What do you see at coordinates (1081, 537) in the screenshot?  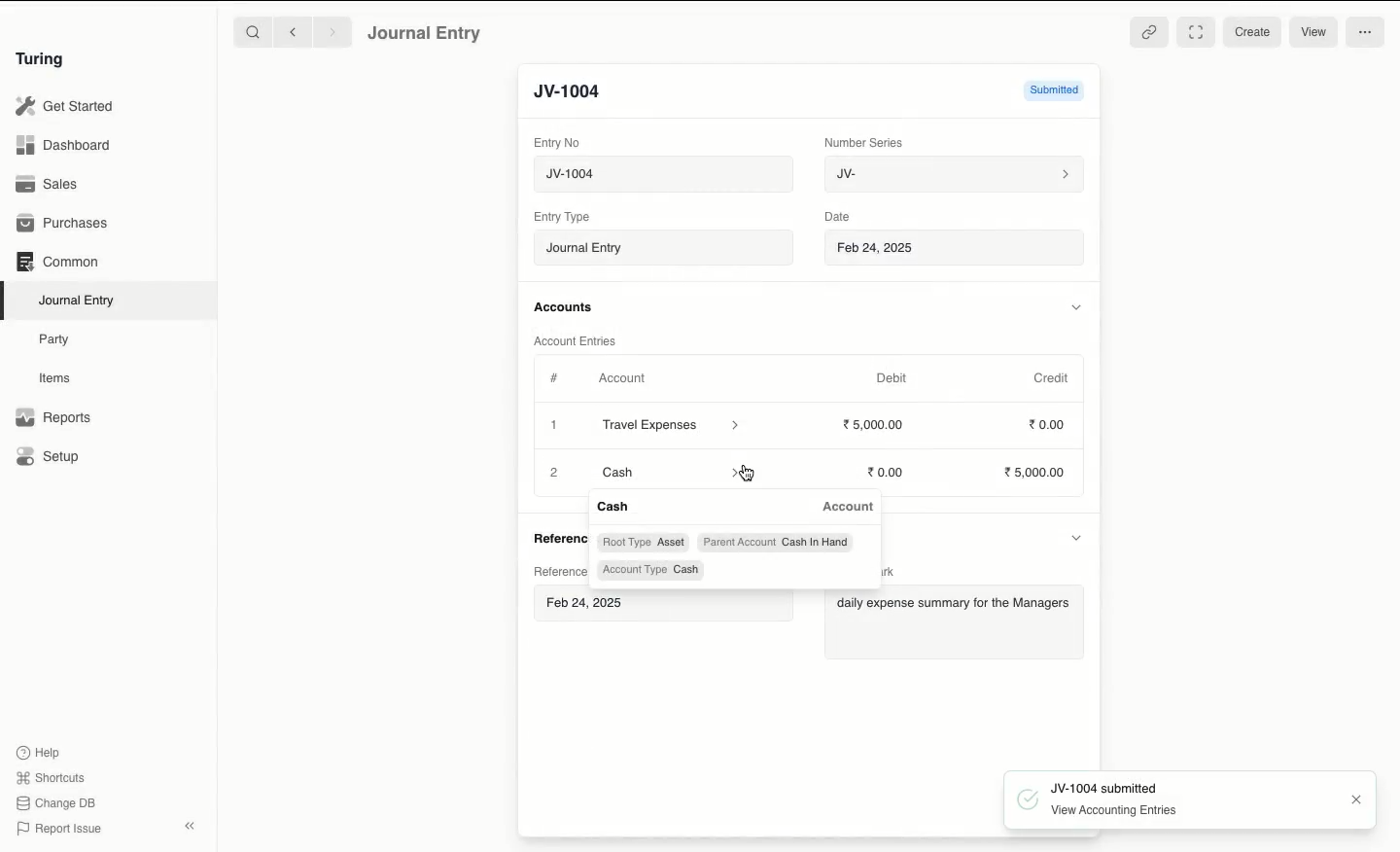 I see `Hide` at bounding box center [1081, 537].